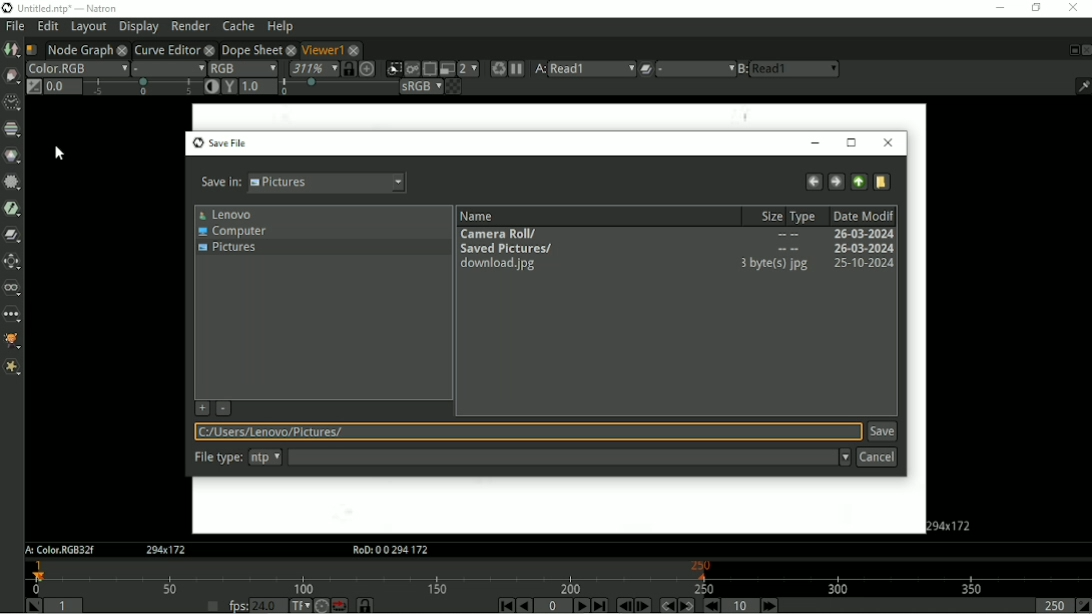  What do you see at coordinates (168, 68) in the screenshot?
I see `Alpha channel` at bounding box center [168, 68].